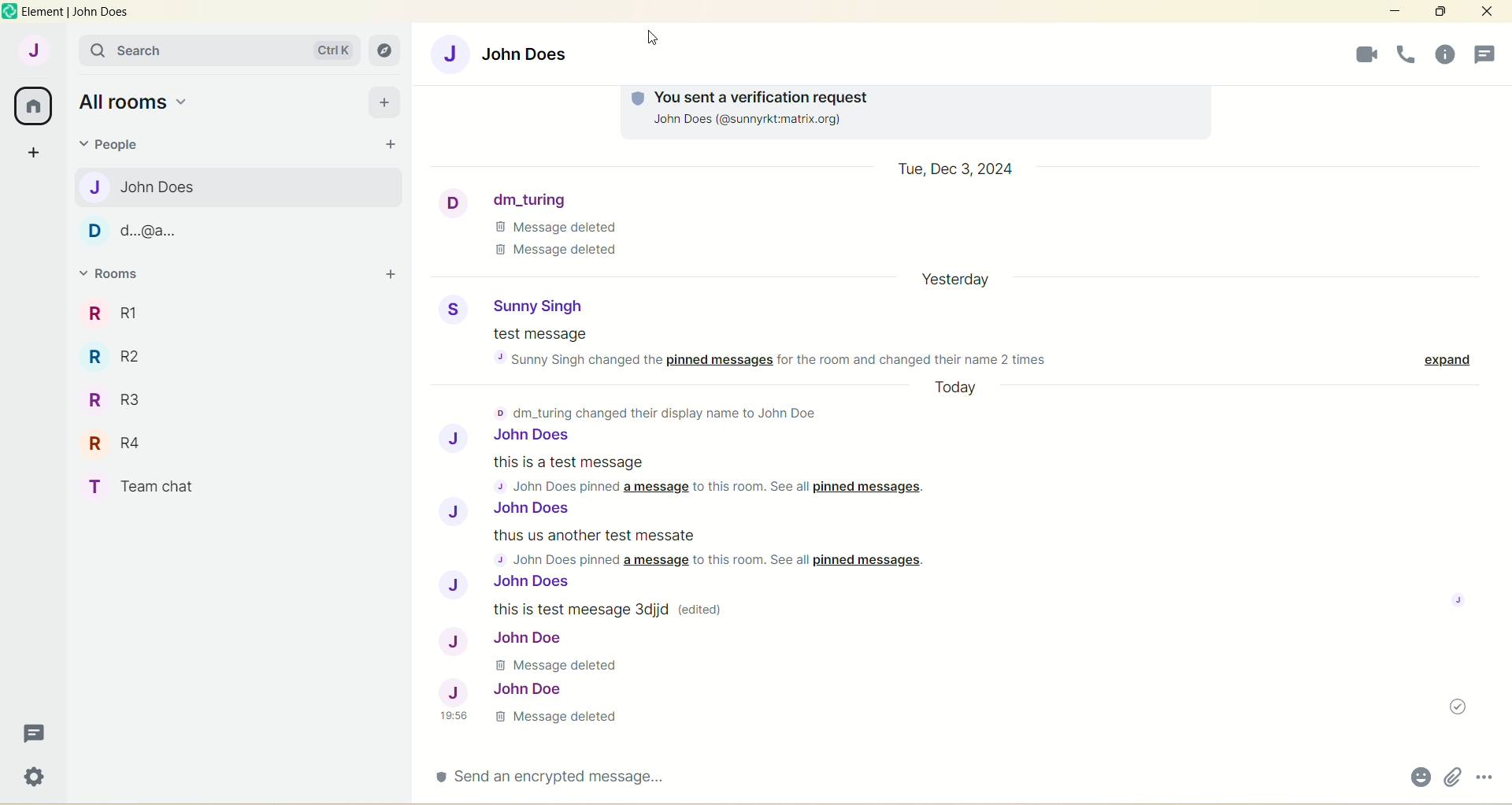 Image resolution: width=1512 pixels, height=805 pixels. What do you see at coordinates (726, 548) in the screenshot?
I see `thus us another test messages` at bounding box center [726, 548].